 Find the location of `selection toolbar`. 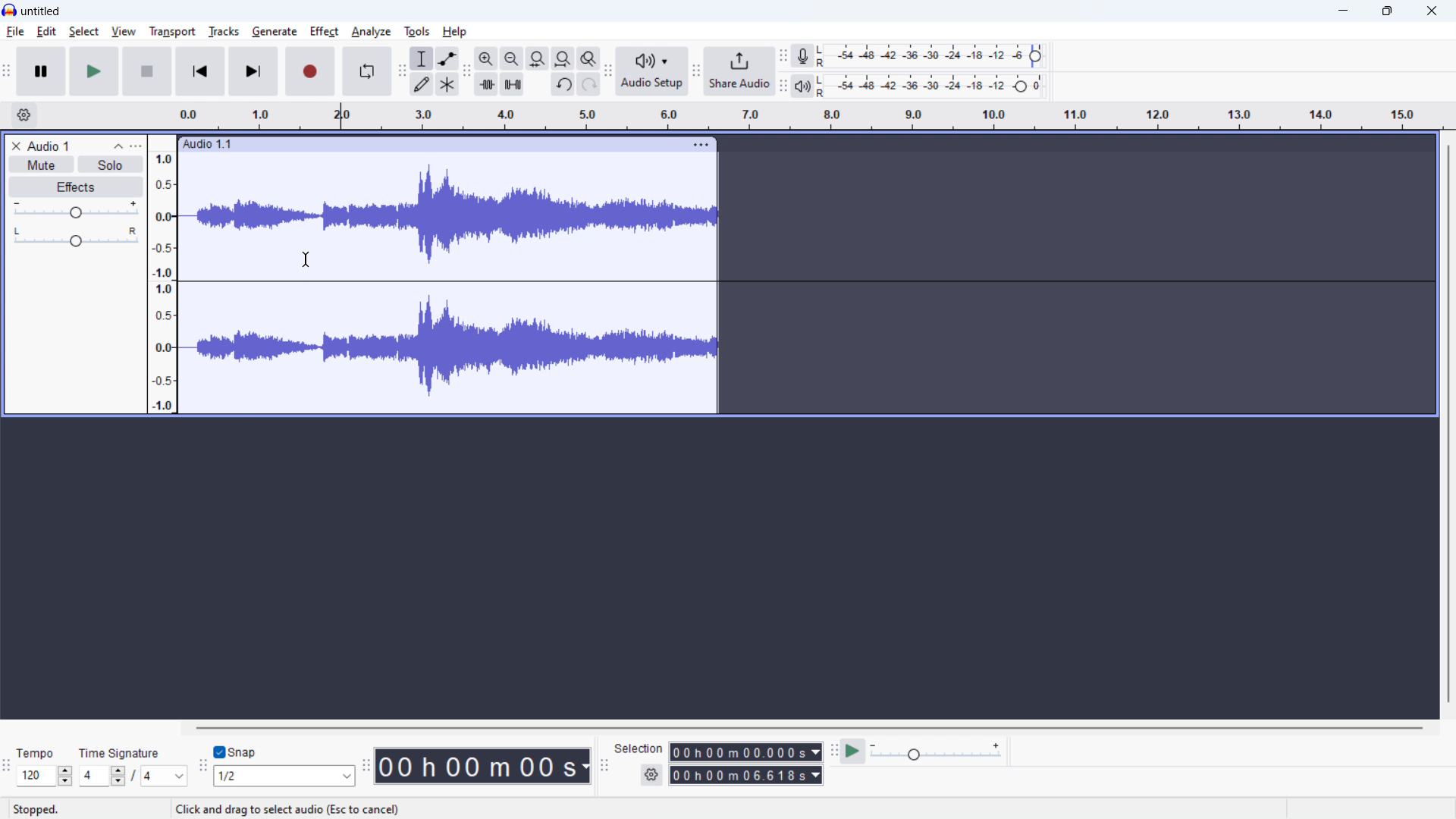

selection toolbar is located at coordinates (604, 767).